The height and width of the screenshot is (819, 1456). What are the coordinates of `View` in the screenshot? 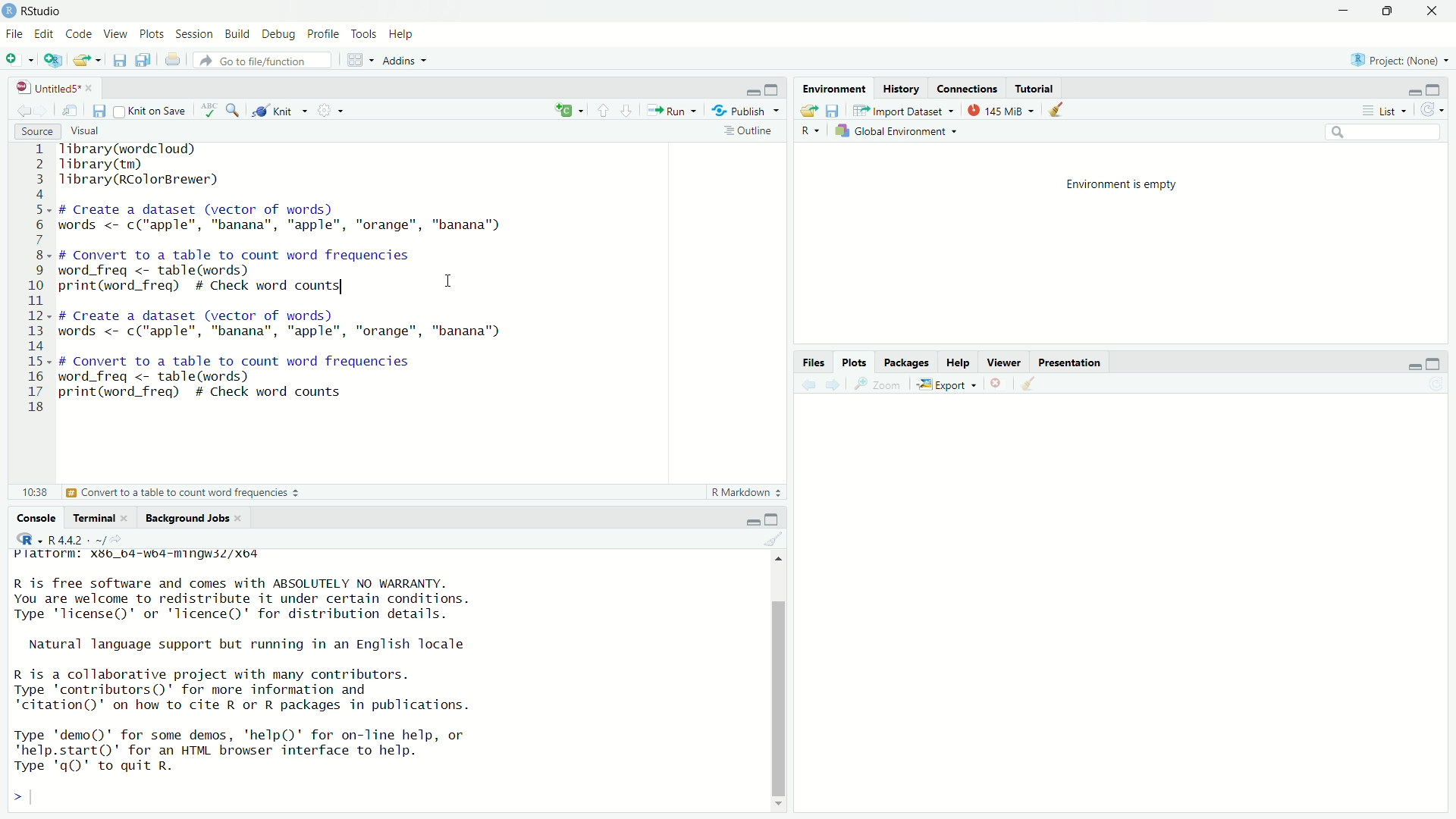 It's located at (115, 34).